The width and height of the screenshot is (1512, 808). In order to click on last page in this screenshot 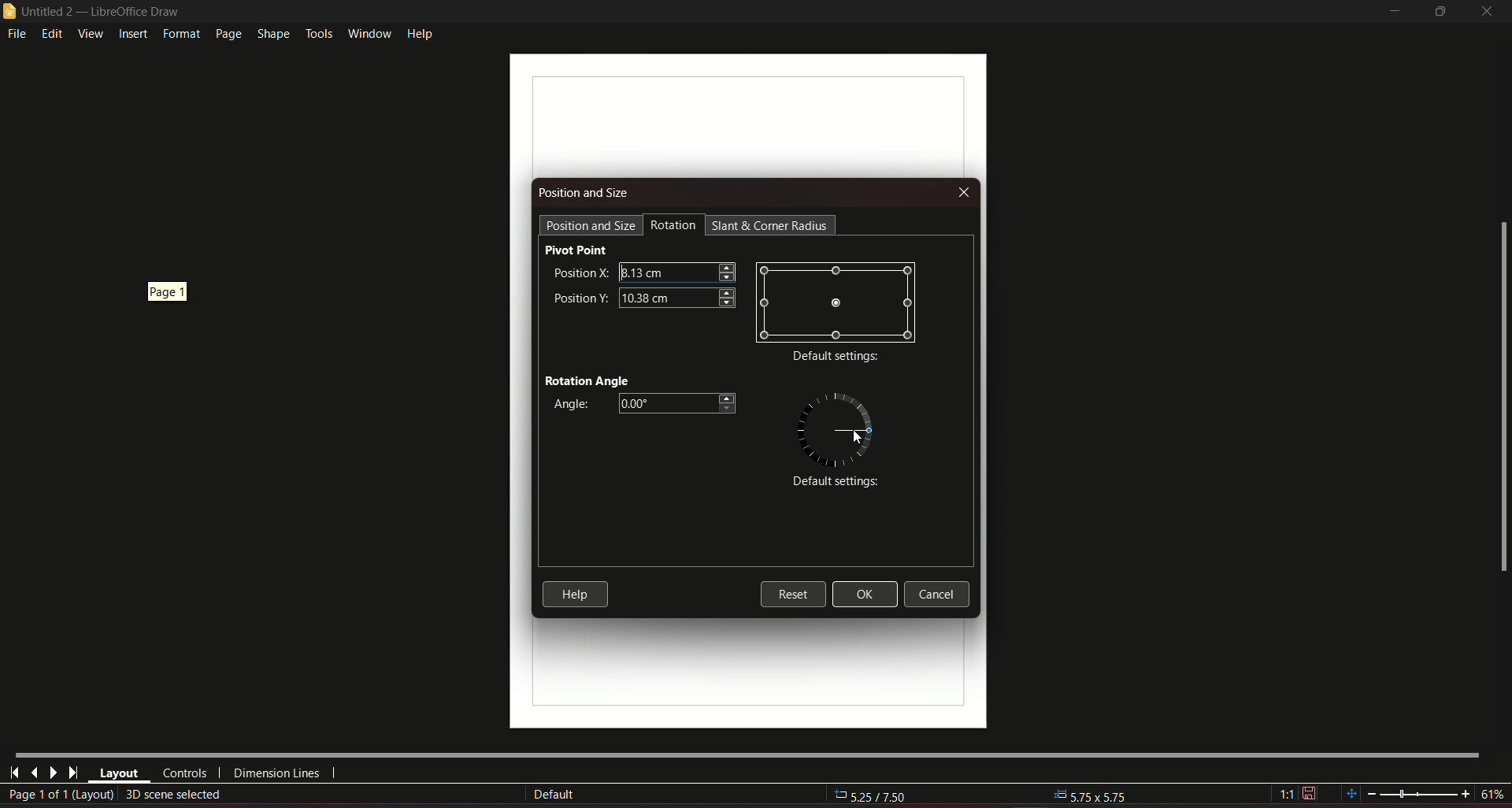, I will do `click(34, 772)`.